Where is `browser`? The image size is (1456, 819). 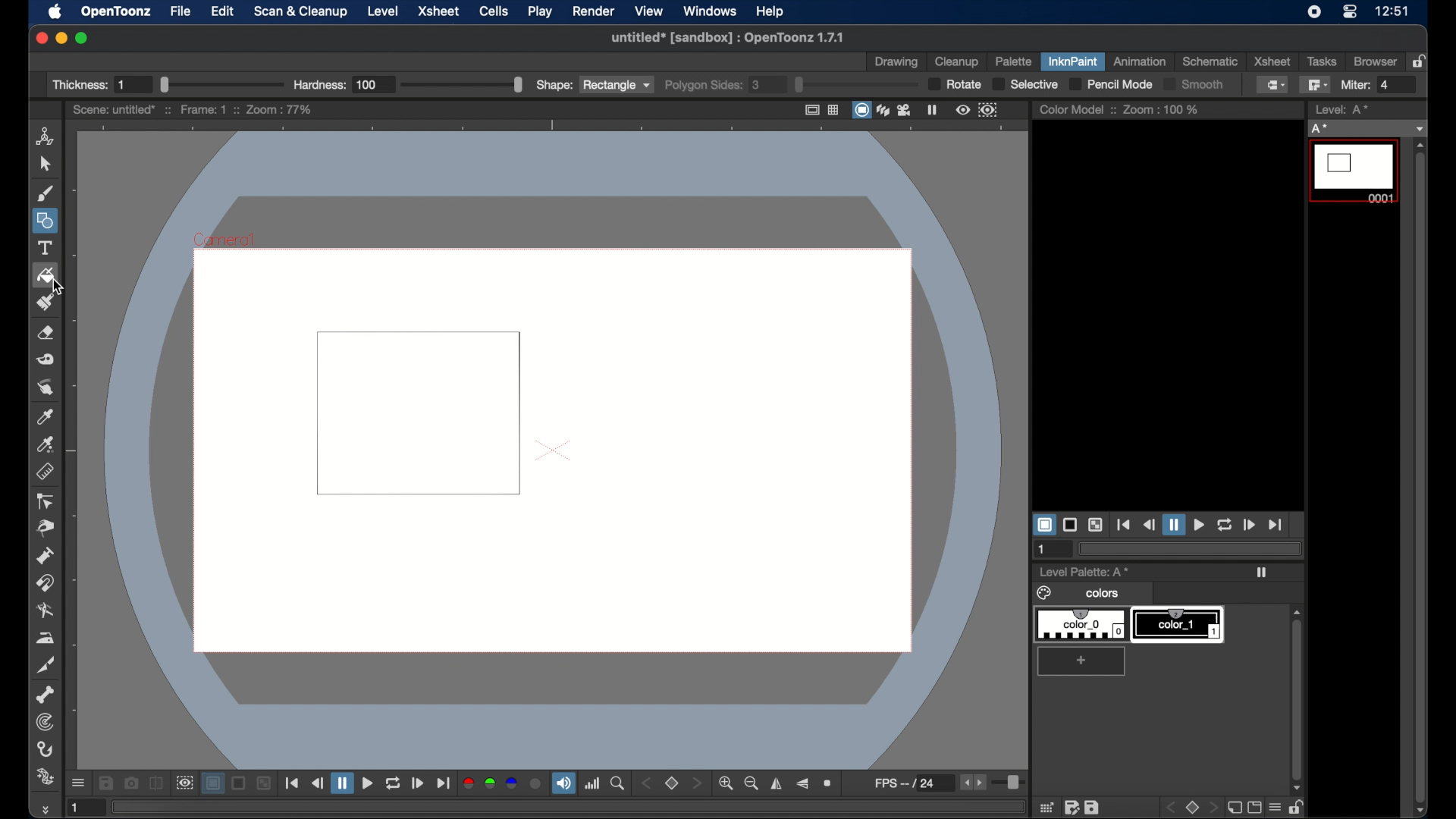
browser is located at coordinates (1376, 61).